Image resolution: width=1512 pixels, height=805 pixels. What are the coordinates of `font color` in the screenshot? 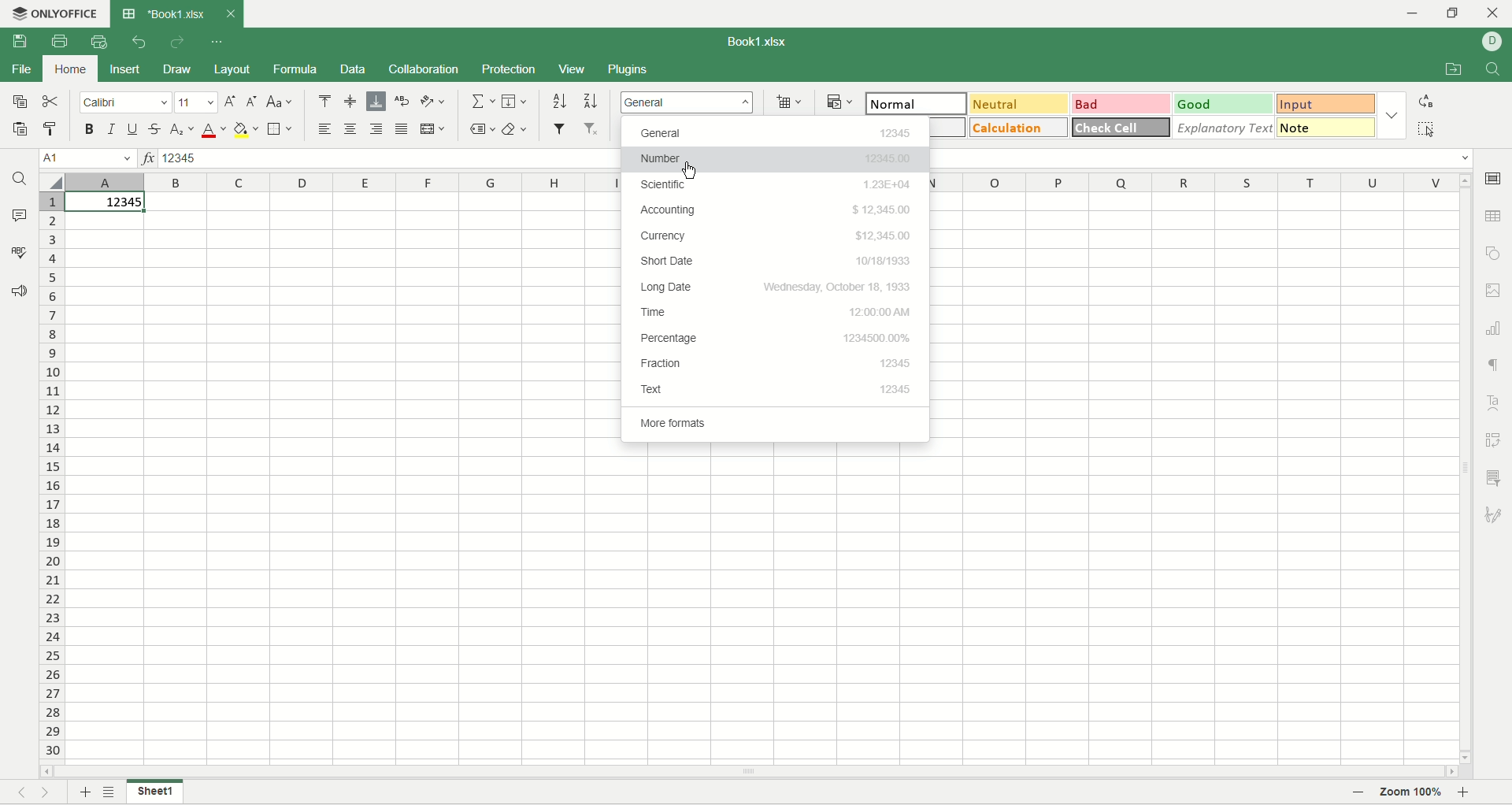 It's located at (213, 130).